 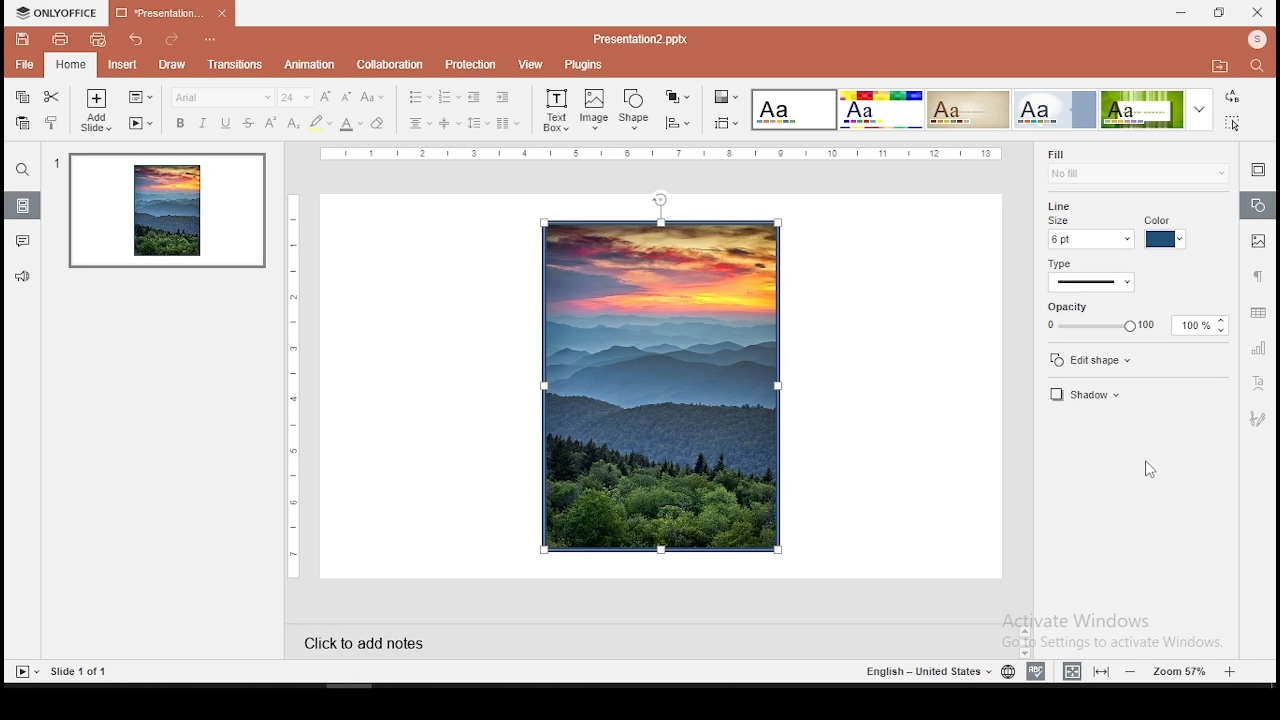 I want to click on align objects, so click(x=726, y=123).